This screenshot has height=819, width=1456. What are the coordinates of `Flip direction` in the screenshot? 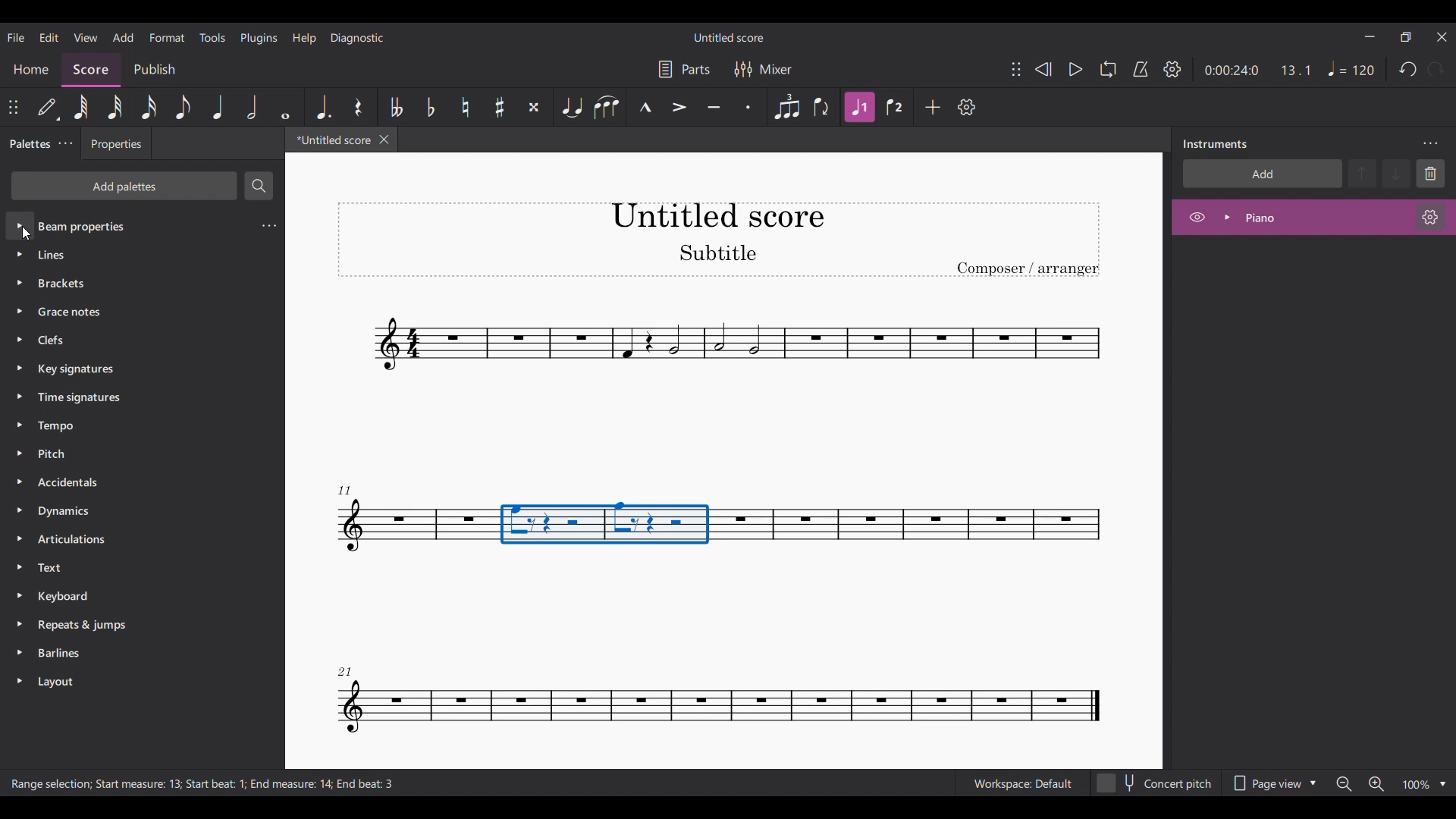 It's located at (822, 108).